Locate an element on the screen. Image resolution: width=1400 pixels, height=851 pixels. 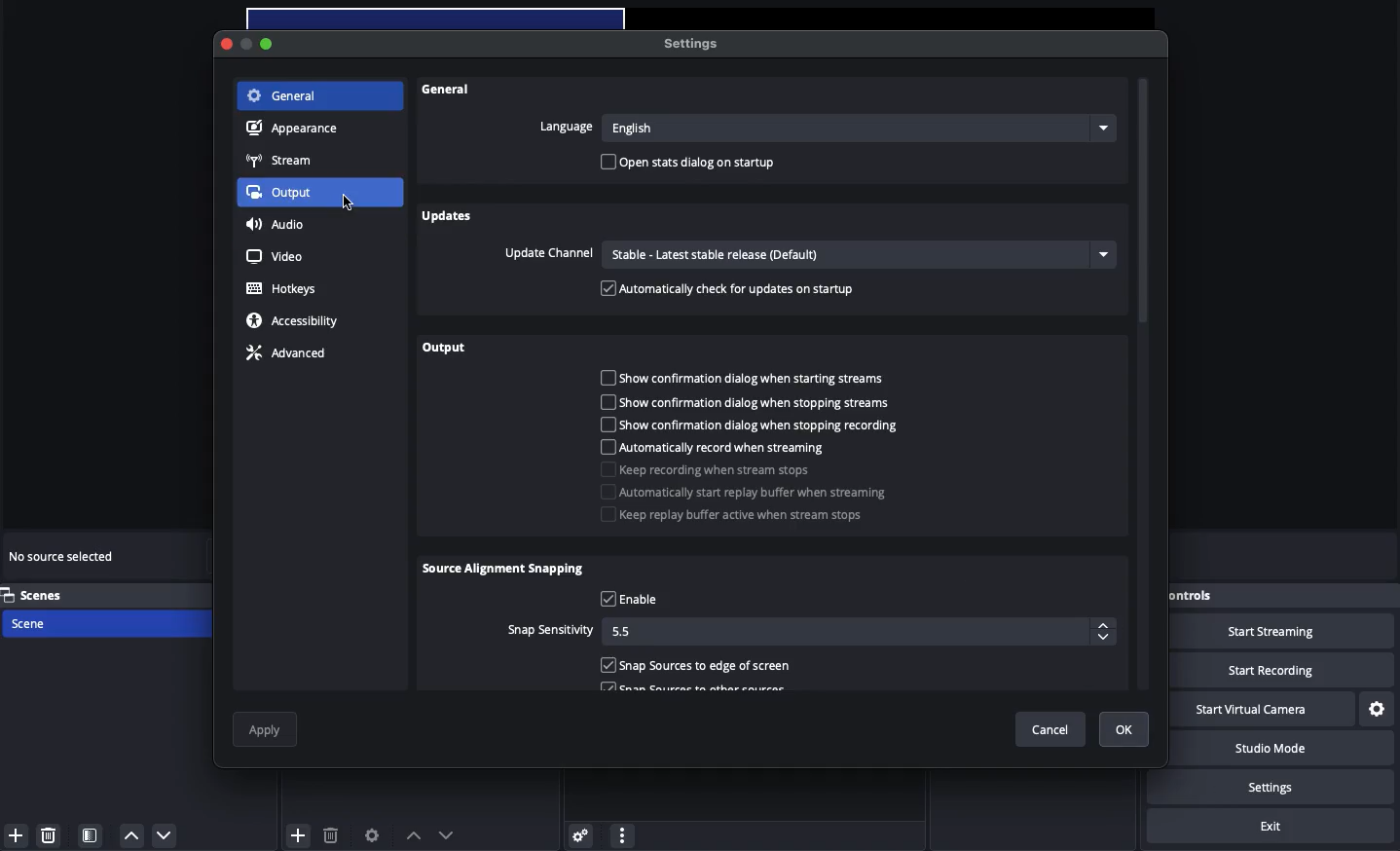
Start recording is located at coordinates (1268, 670).